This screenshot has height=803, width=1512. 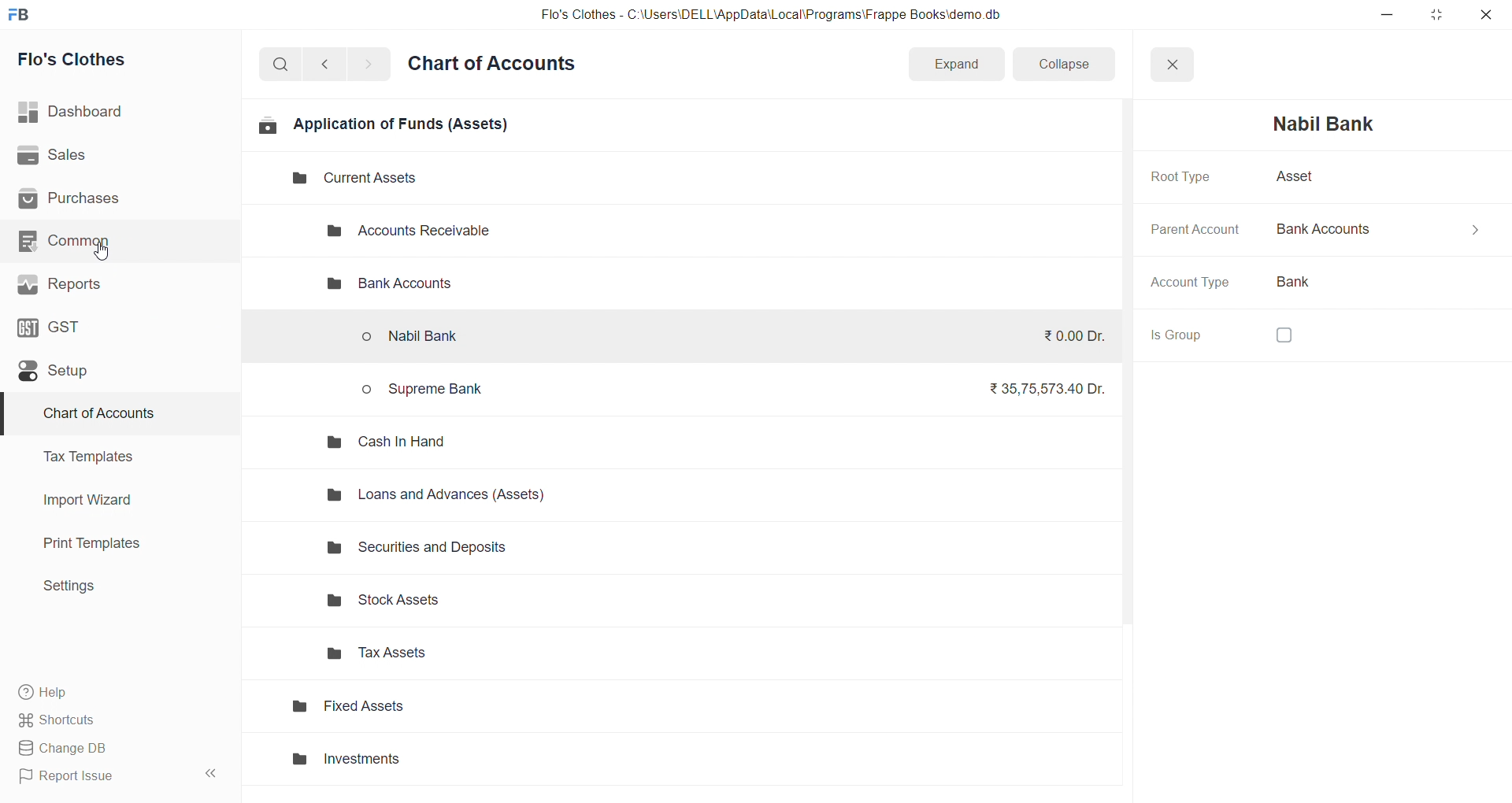 I want to click on Fixed Assets, so click(x=428, y=711).